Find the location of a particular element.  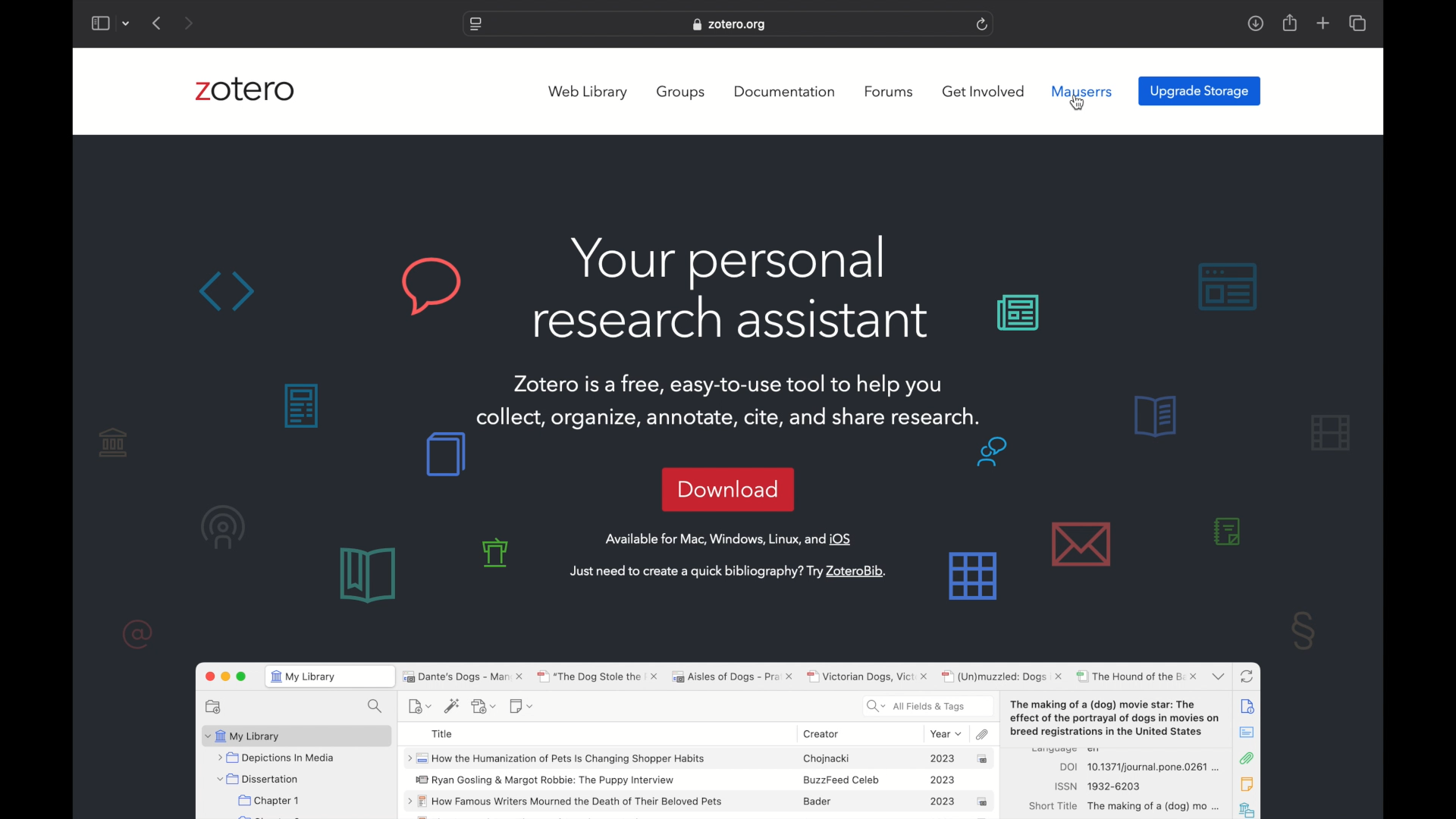

backgorund graphics is located at coordinates (978, 524).